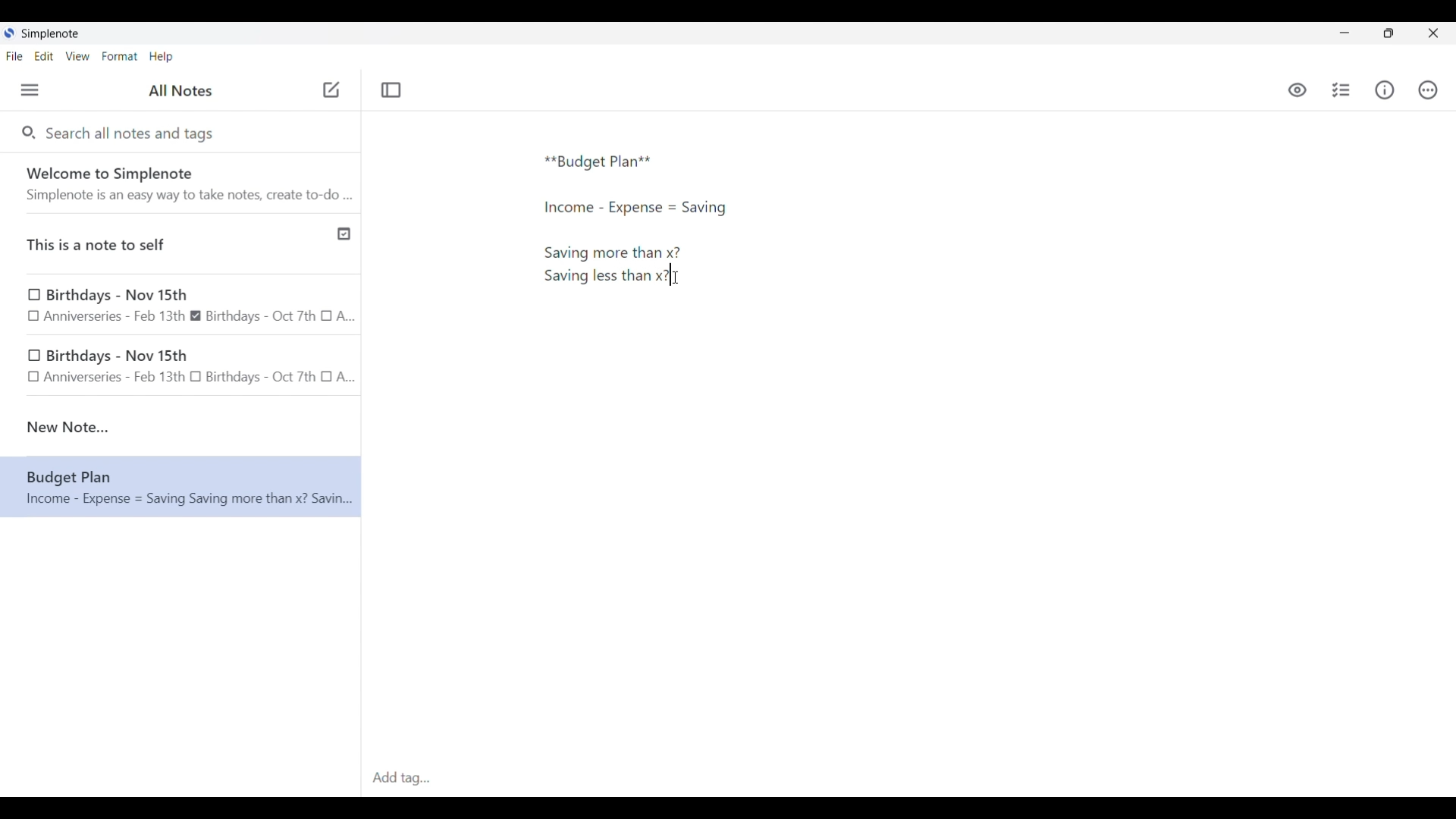 This screenshot has height=819, width=1456. I want to click on Birthday note, so click(181, 305).